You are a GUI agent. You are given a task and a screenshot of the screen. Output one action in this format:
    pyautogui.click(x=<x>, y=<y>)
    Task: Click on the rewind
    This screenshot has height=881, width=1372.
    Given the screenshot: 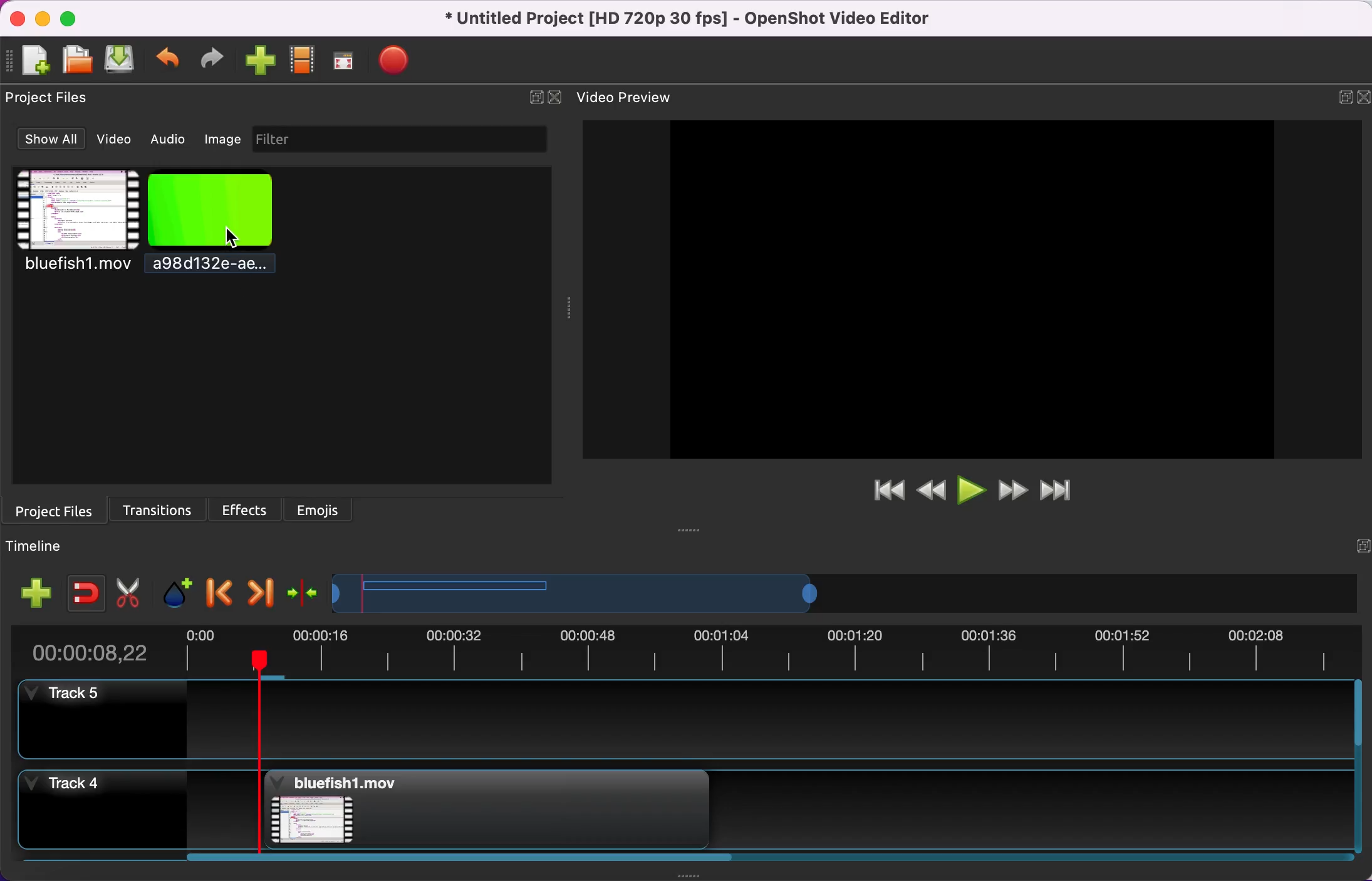 What is the action you would take?
    pyautogui.click(x=932, y=491)
    